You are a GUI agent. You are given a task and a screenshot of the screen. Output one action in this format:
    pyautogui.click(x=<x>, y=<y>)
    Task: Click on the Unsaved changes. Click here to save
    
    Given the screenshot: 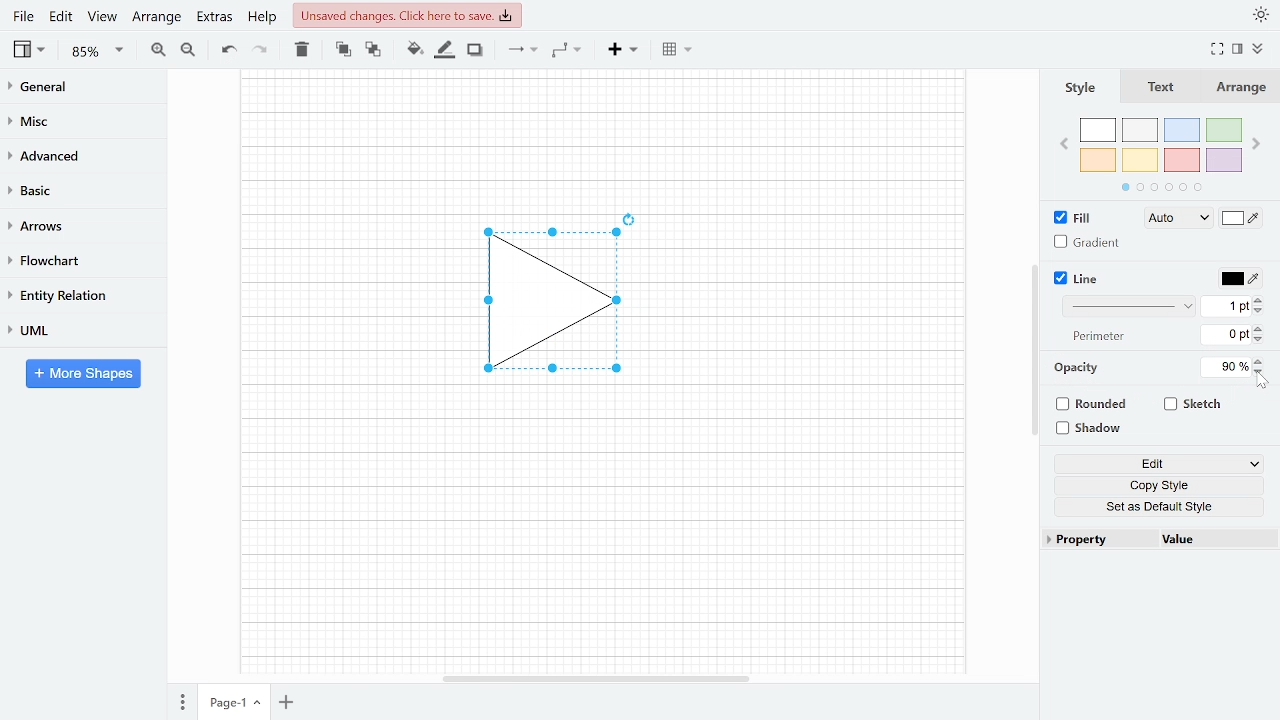 What is the action you would take?
    pyautogui.click(x=410, y=15)
    